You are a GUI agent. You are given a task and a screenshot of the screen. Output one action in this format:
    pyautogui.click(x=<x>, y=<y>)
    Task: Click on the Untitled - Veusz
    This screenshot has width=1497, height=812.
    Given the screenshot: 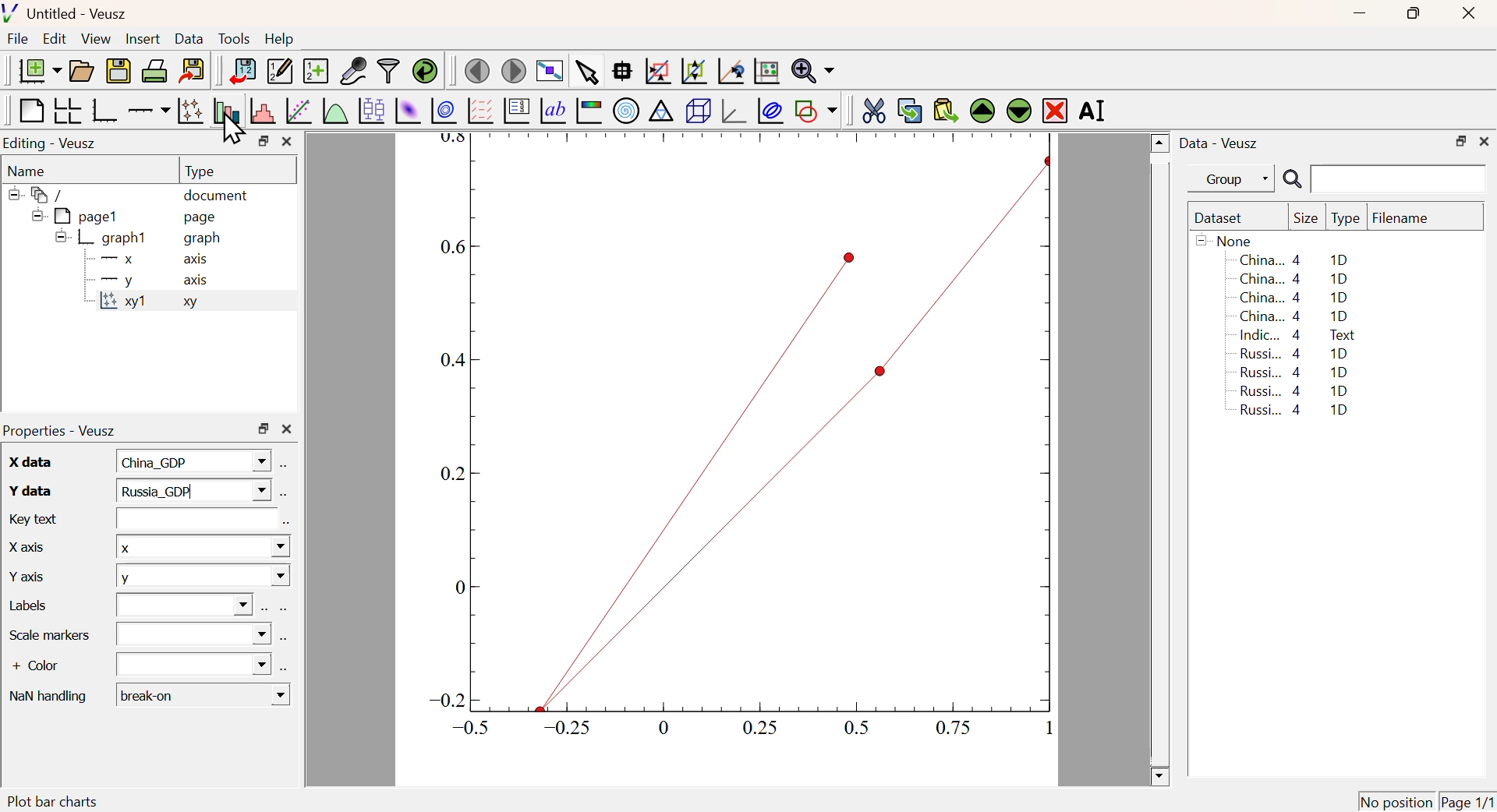 What is the action you would take?
    pyautogui.click(x=69, y=15)
    